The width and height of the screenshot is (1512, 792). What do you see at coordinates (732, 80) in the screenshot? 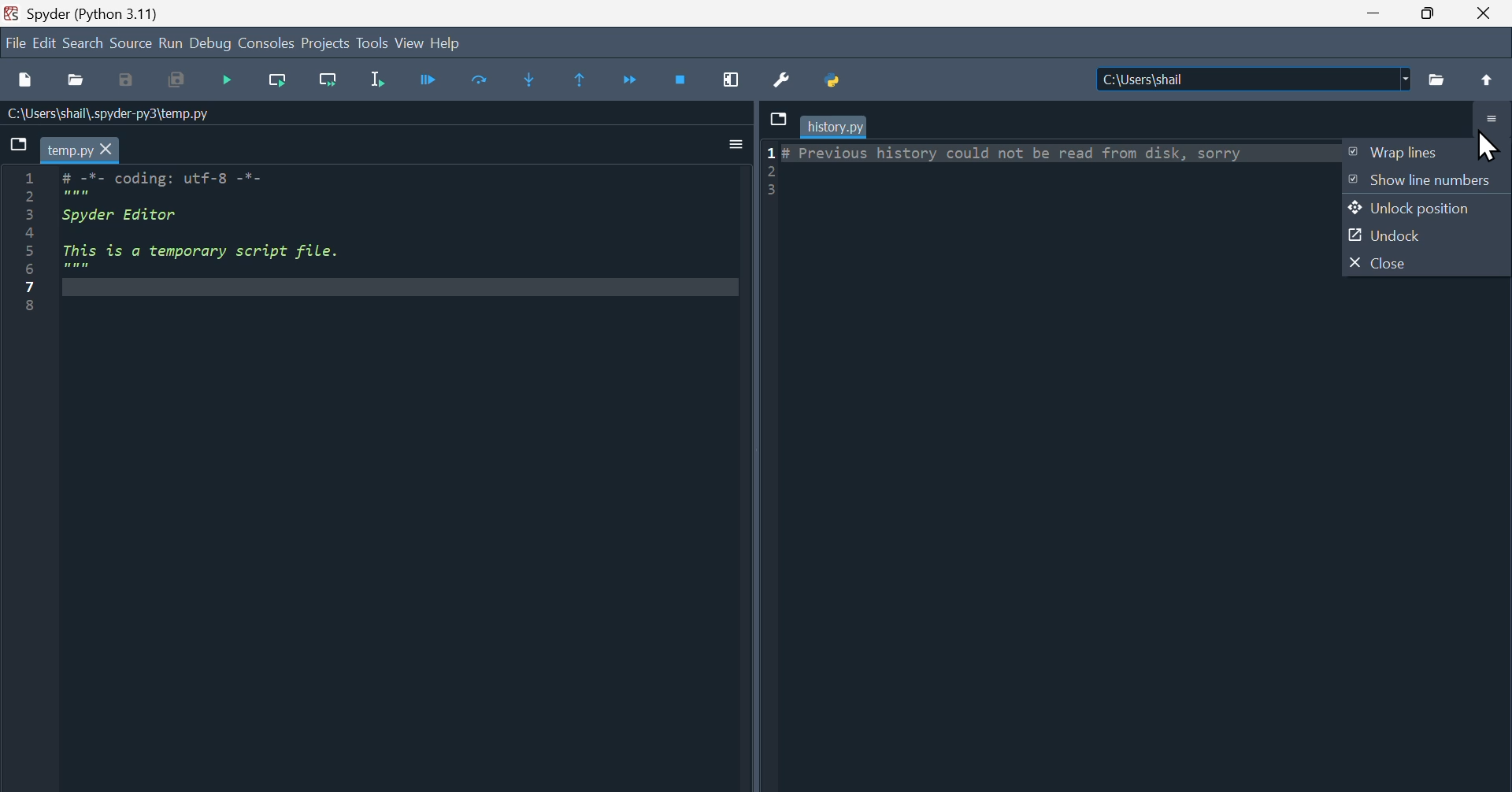
I see `Maximise current window` at bounding box center [732, 80].